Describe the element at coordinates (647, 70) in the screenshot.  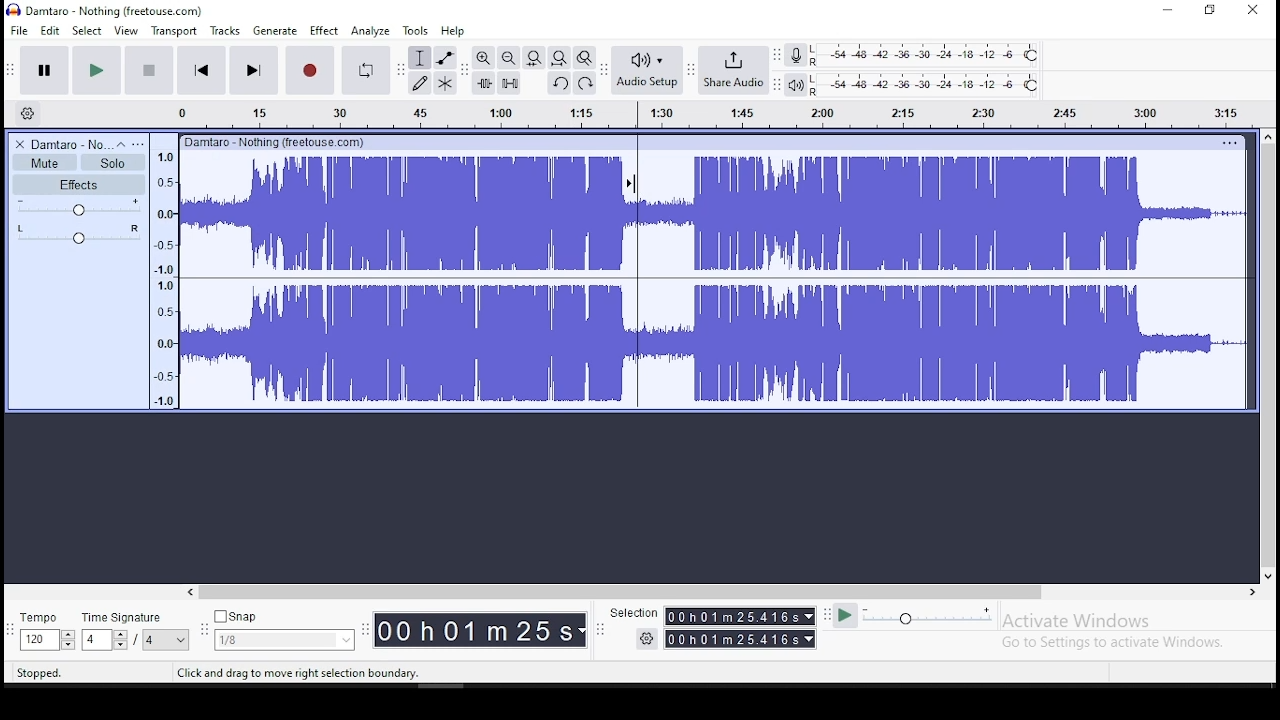
I see `audio setup` at that location.